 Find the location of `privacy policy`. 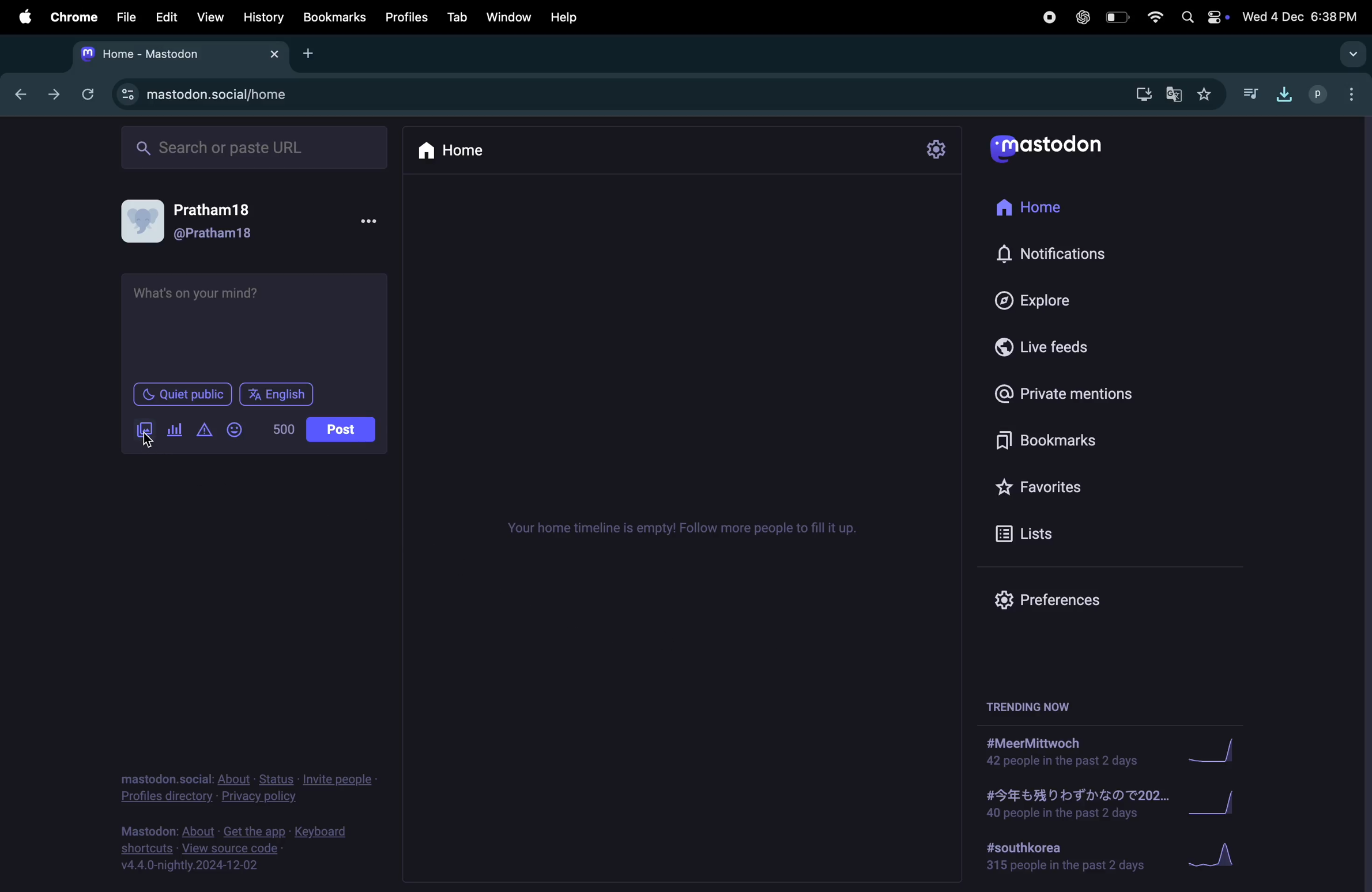

privacy policy is located at coordinates (246, 784).